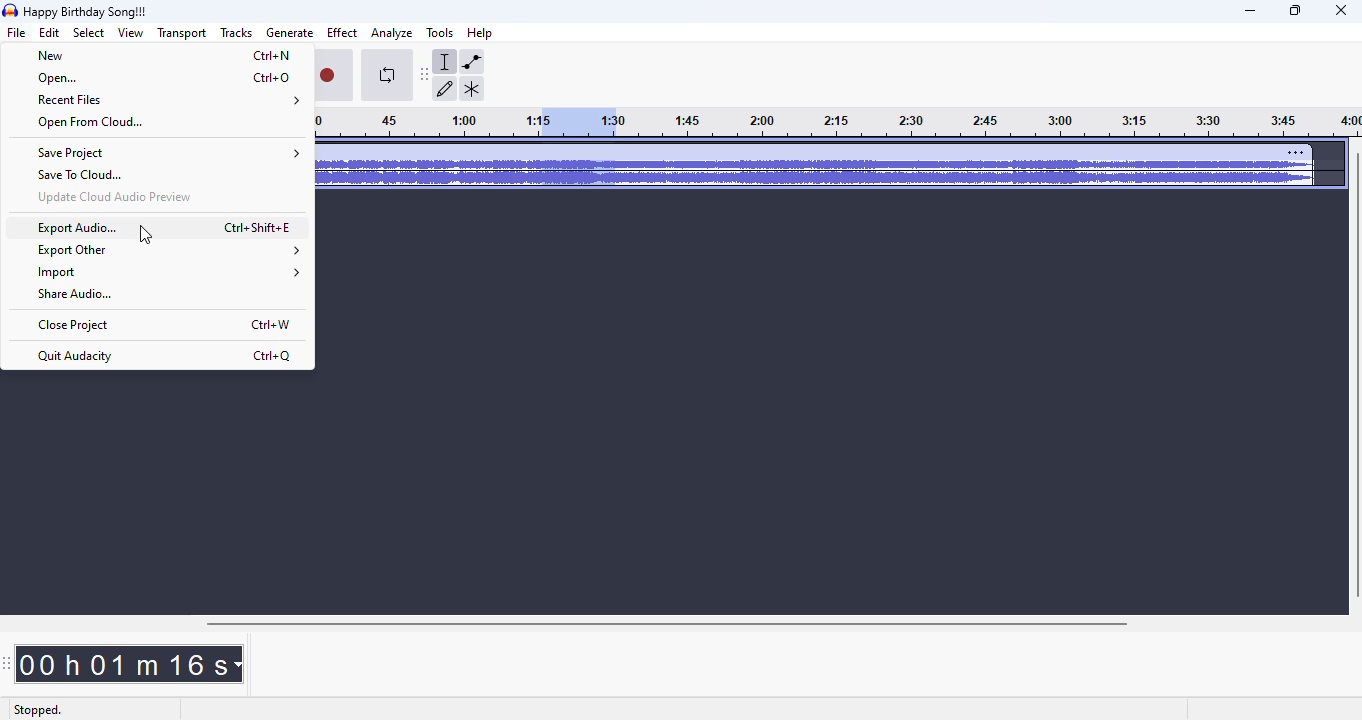 This screenshot has width=1362, height=720. Describe the element at coordinates (170, 273) in the screenshot. I see `import` at that location.